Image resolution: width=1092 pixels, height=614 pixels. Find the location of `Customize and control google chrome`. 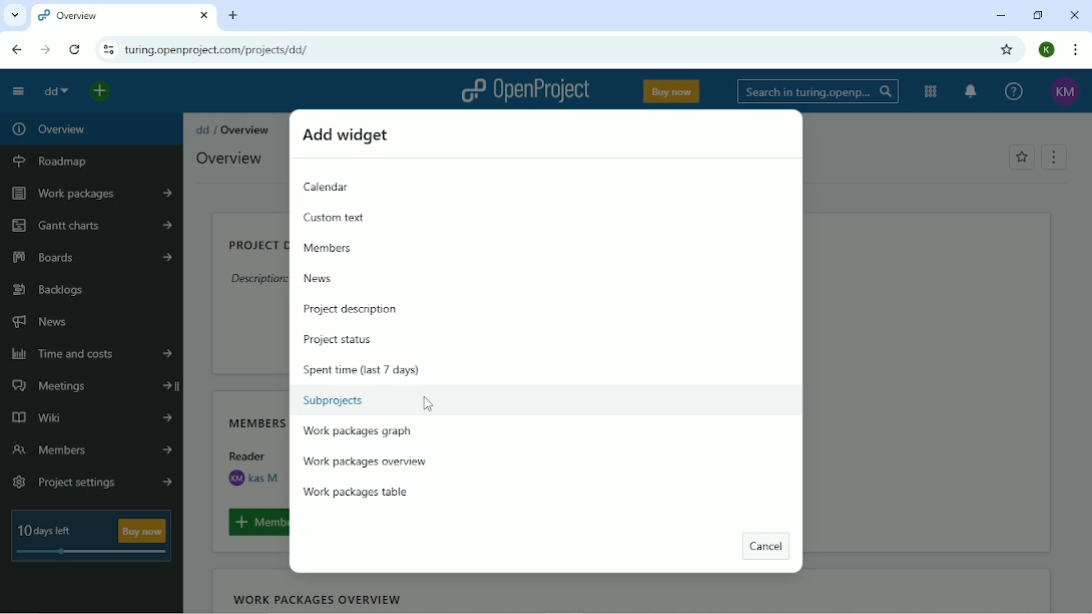

Customize and control google chrome is located at coordinates (1072, 50).